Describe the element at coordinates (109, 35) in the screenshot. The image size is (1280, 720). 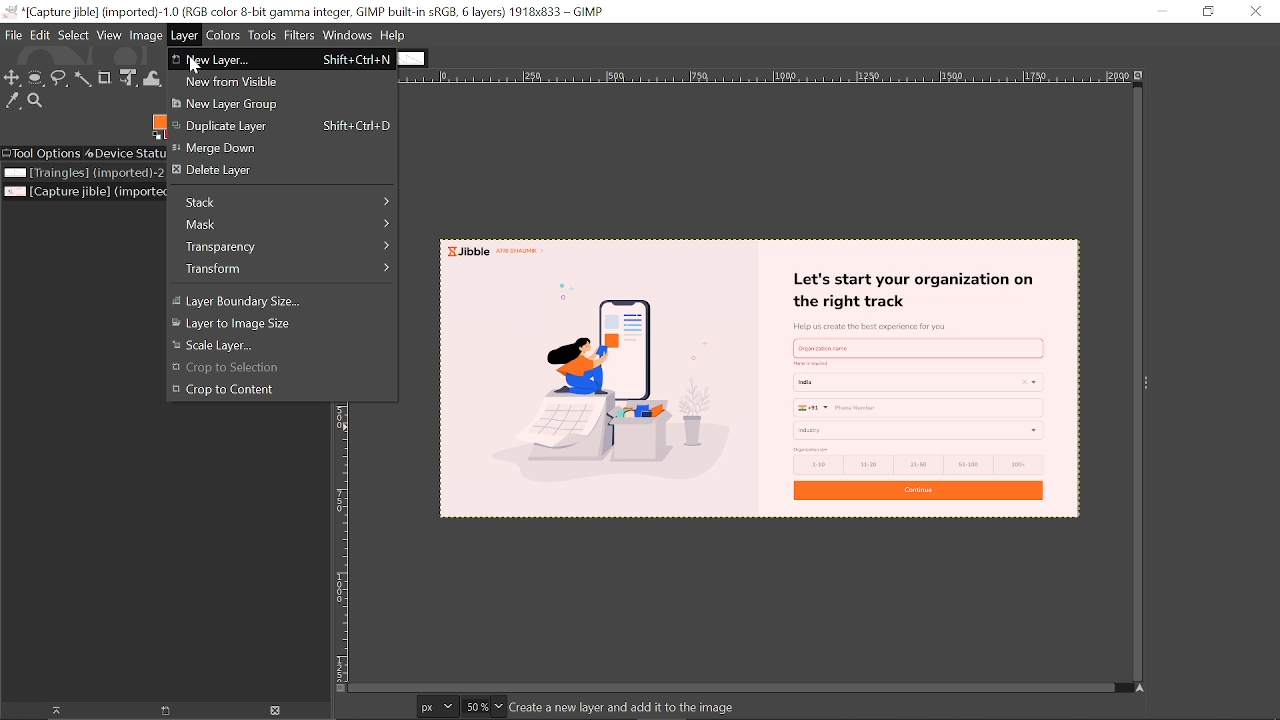
I see `View` at that location.